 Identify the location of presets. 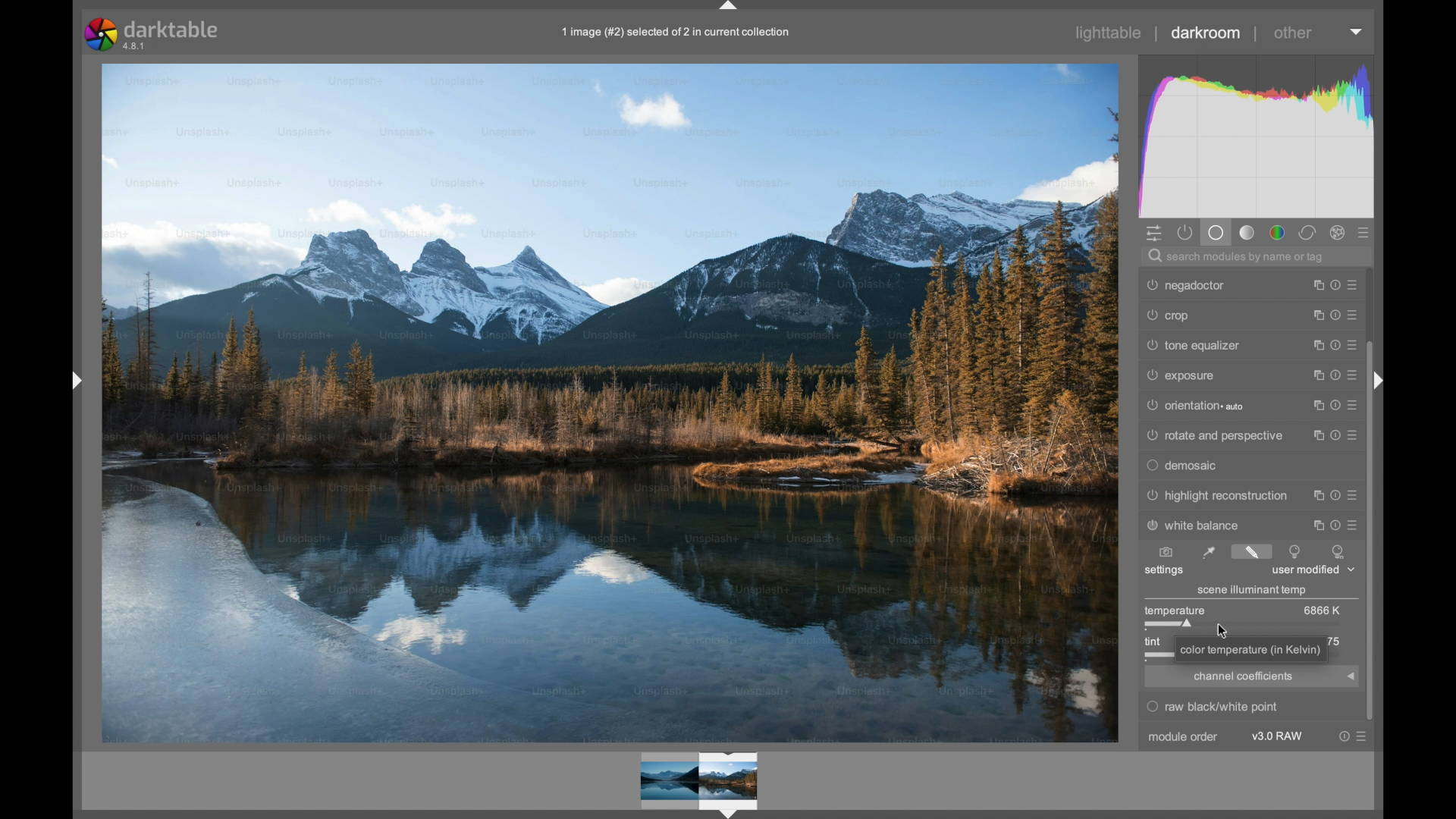
(1353, 341).